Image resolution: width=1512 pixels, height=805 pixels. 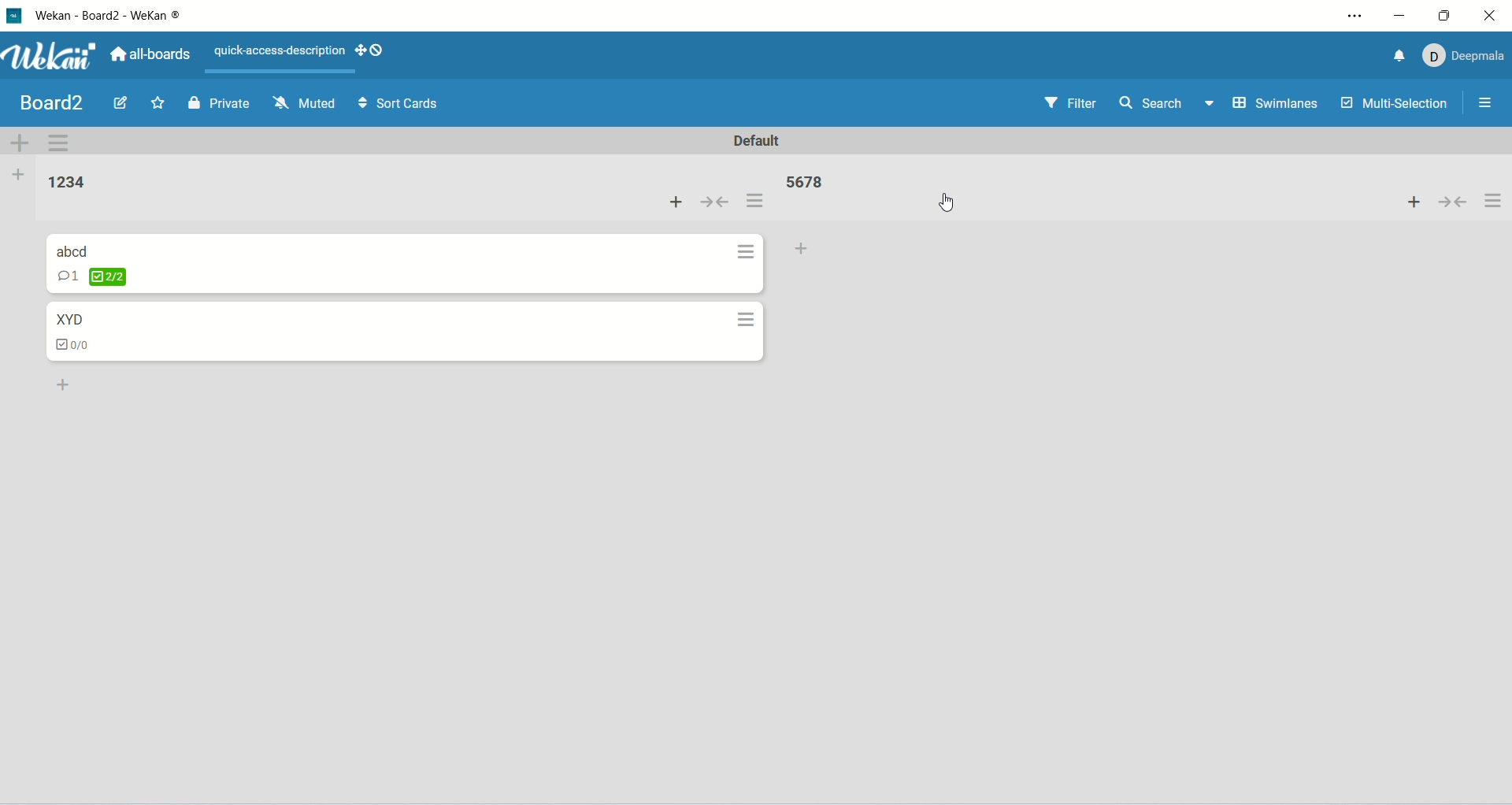 What do you see at coordinates (1070, 103) in the screenshot?
I see `filter` at bounding box center [1070, 103].